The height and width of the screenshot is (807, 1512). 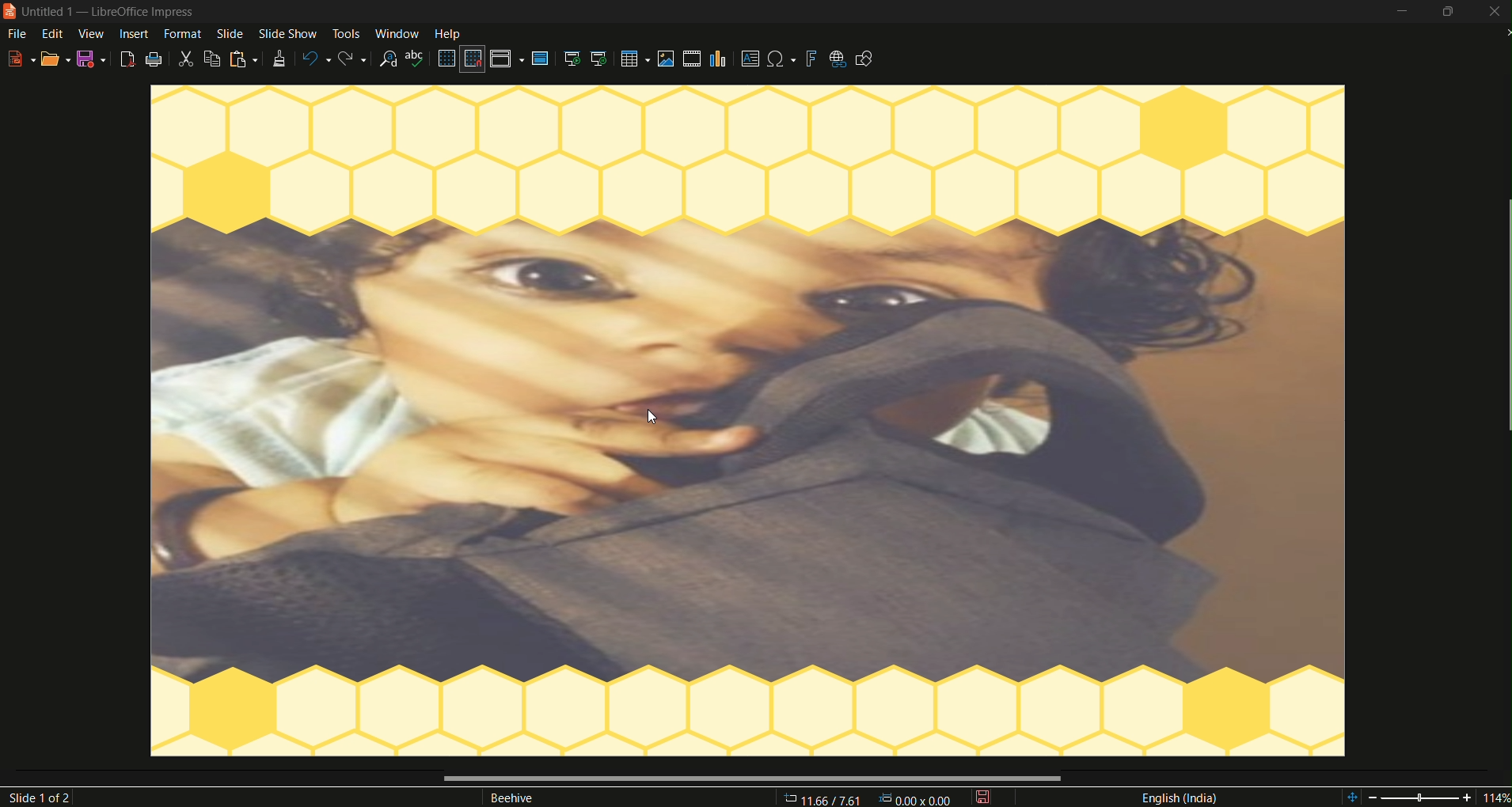 What do you see at coordinates (1403, 12) in the screenshot?
I see `minimize` at bounding box center [1403, 12].